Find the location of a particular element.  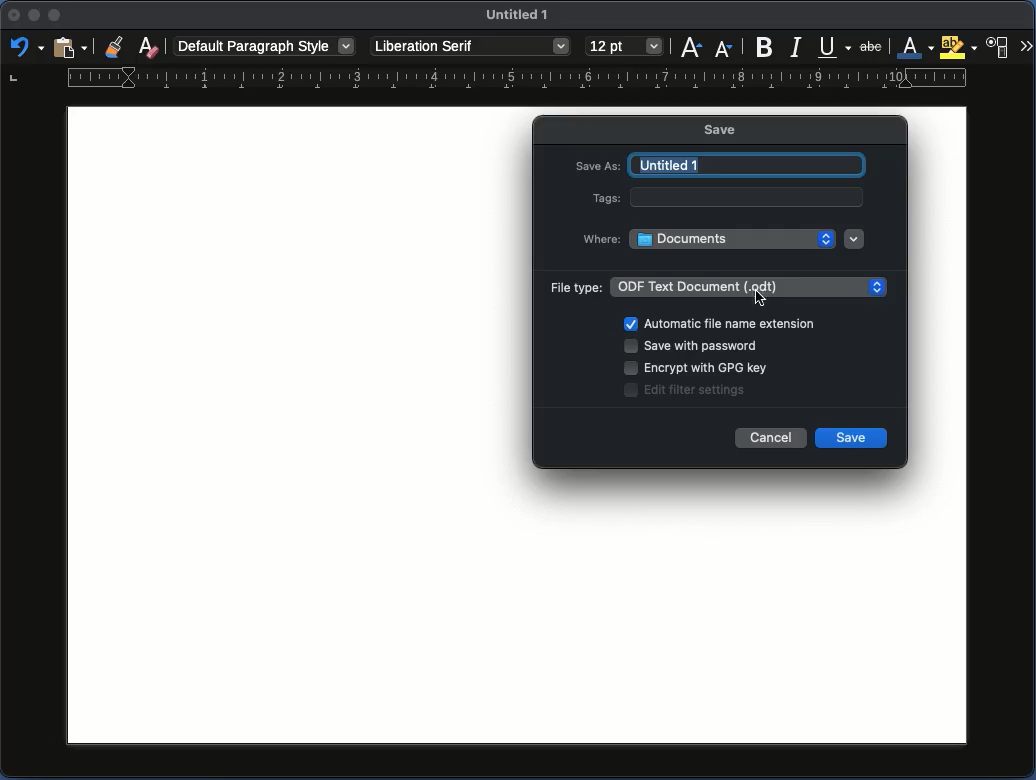

Save as is located at coordinates (719, 163).